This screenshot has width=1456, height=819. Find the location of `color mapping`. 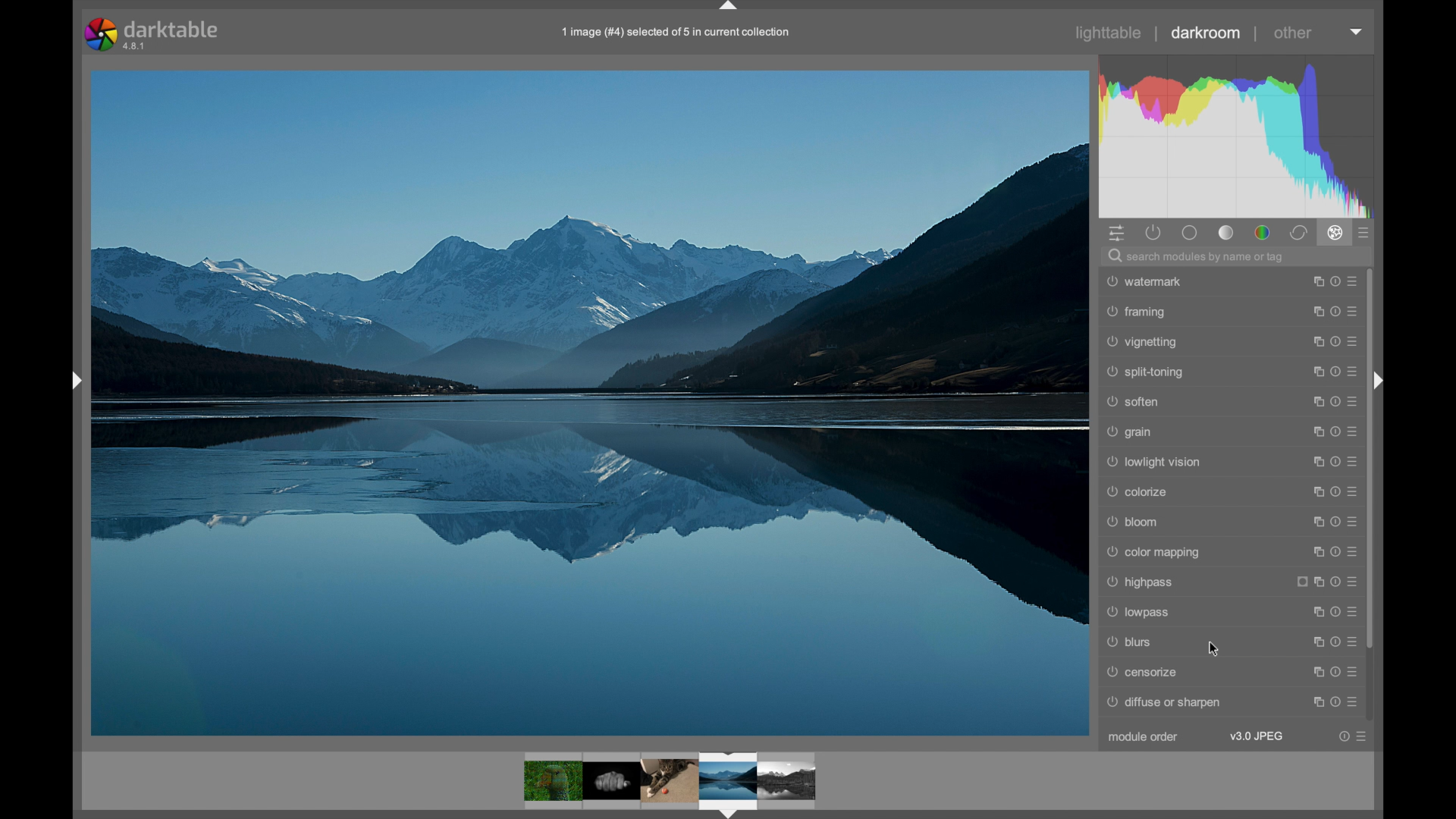

color mapping is located at coordinates (1156, 552).